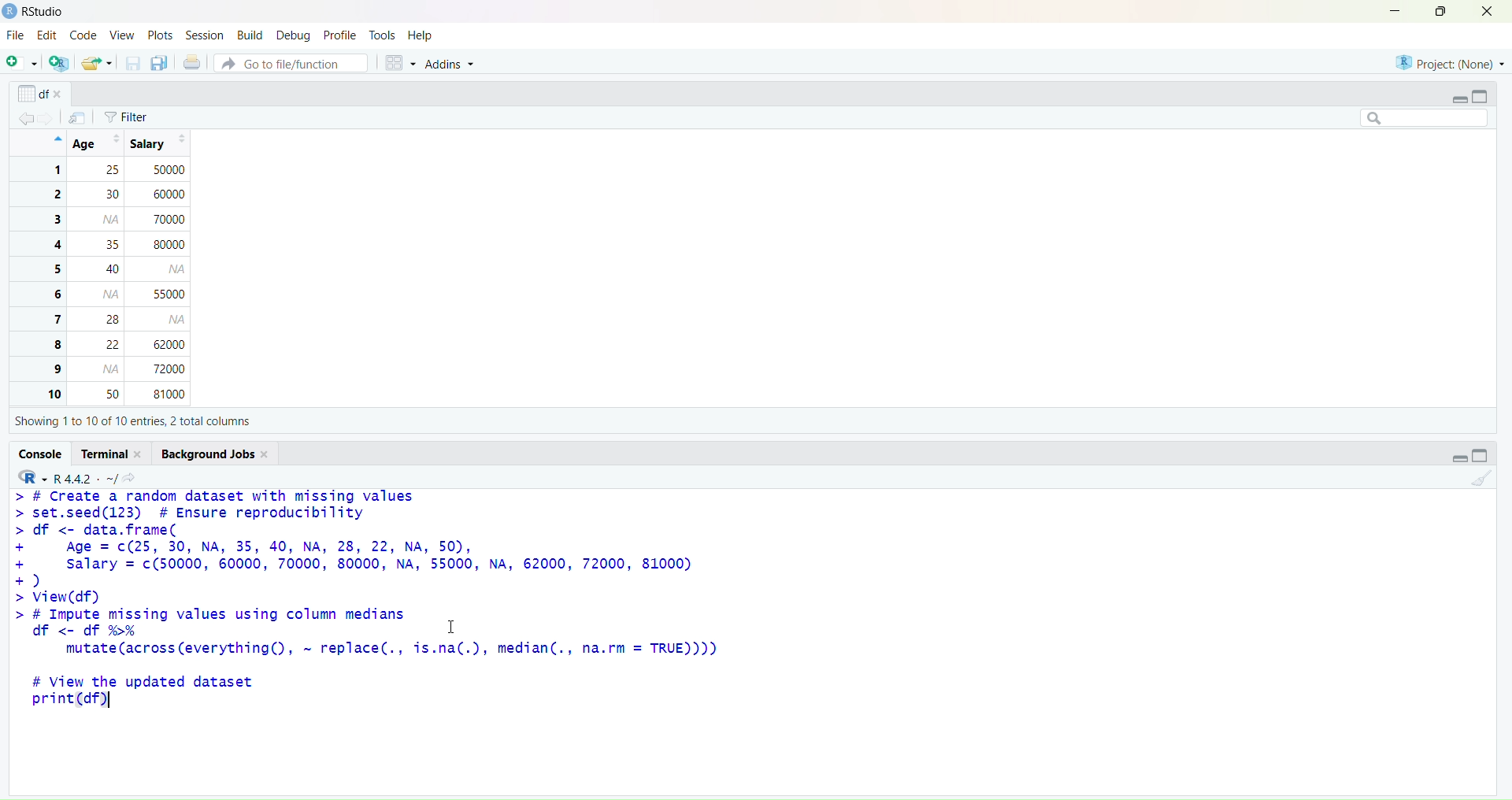  I want to click on create a new project, so click(58, 64).